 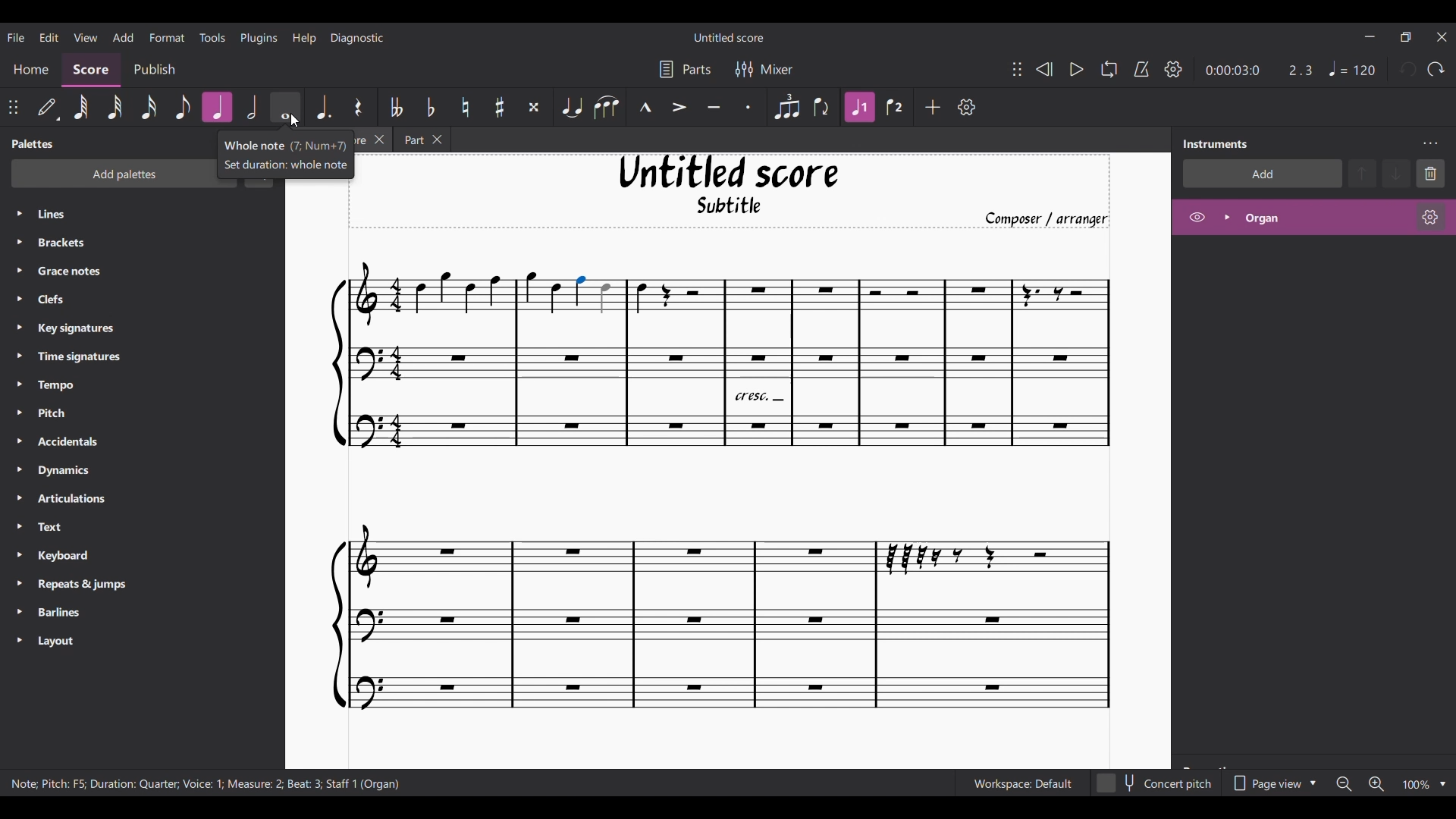 I want to click on Zoom in, so click(x=1376, y=784).